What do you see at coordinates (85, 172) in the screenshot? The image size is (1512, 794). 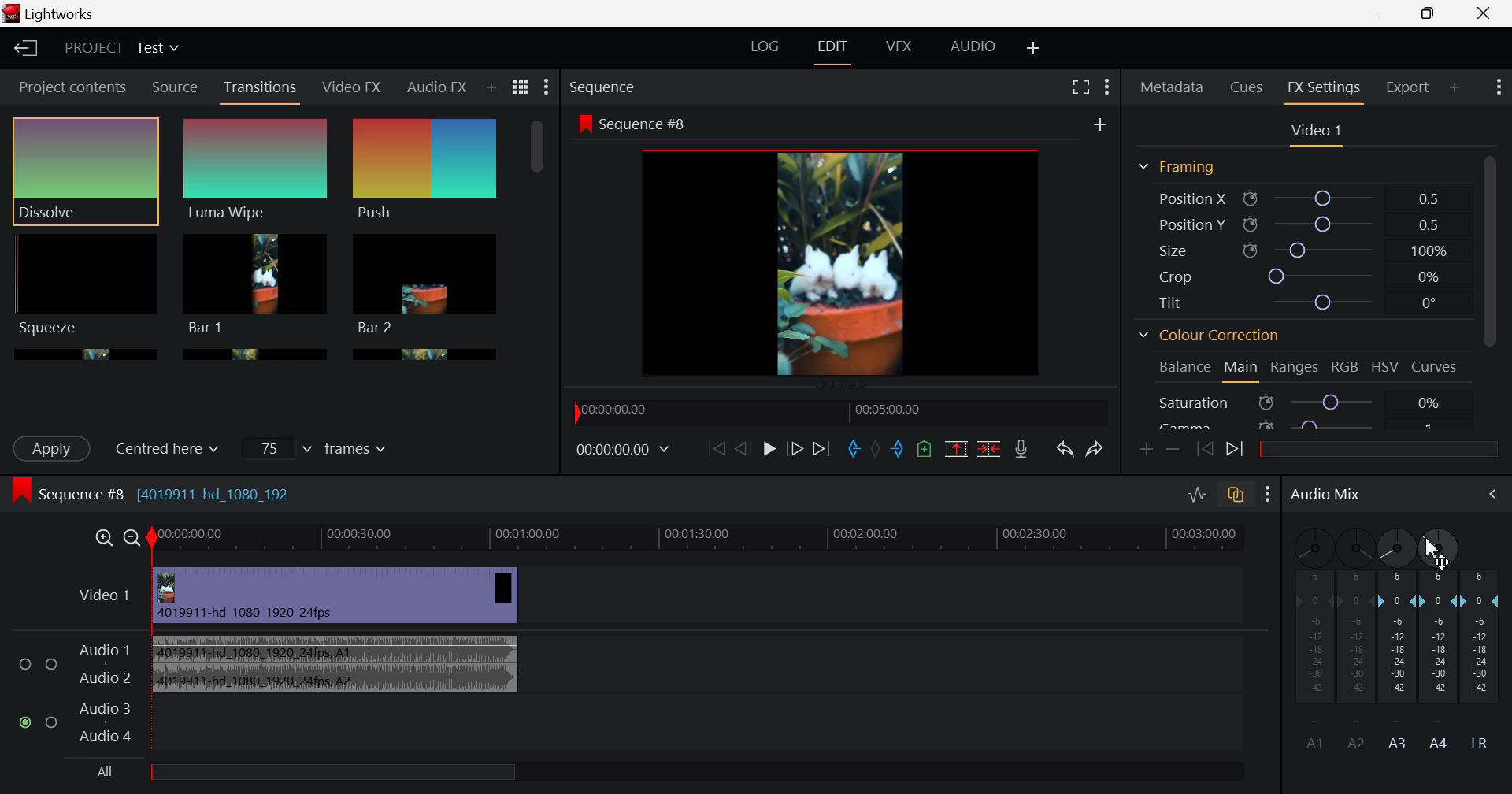 I see `Dissolve` at bounding box center [85, 172].